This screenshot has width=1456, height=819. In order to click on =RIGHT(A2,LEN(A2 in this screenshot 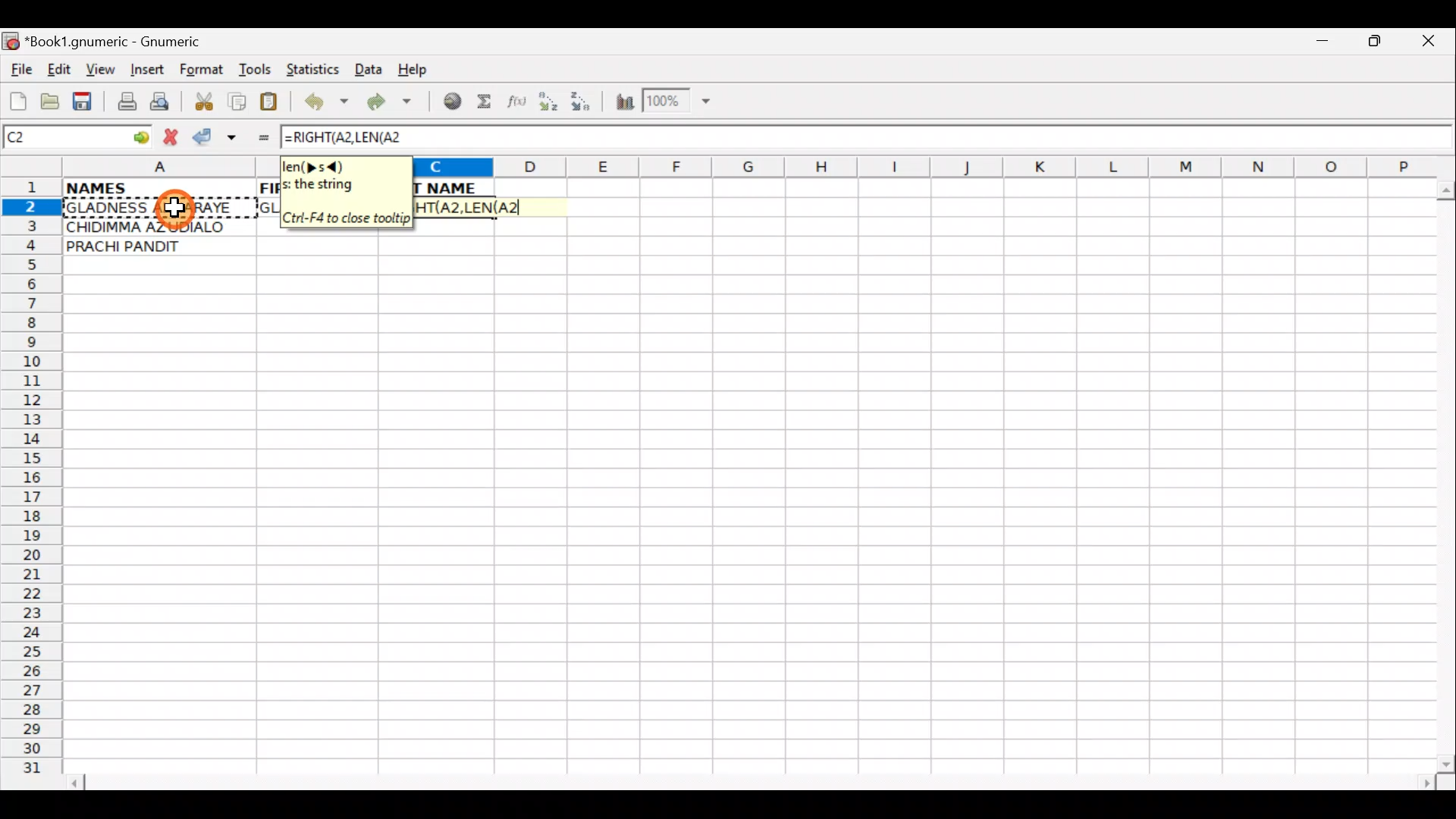, I will do `click(454, 208)`.